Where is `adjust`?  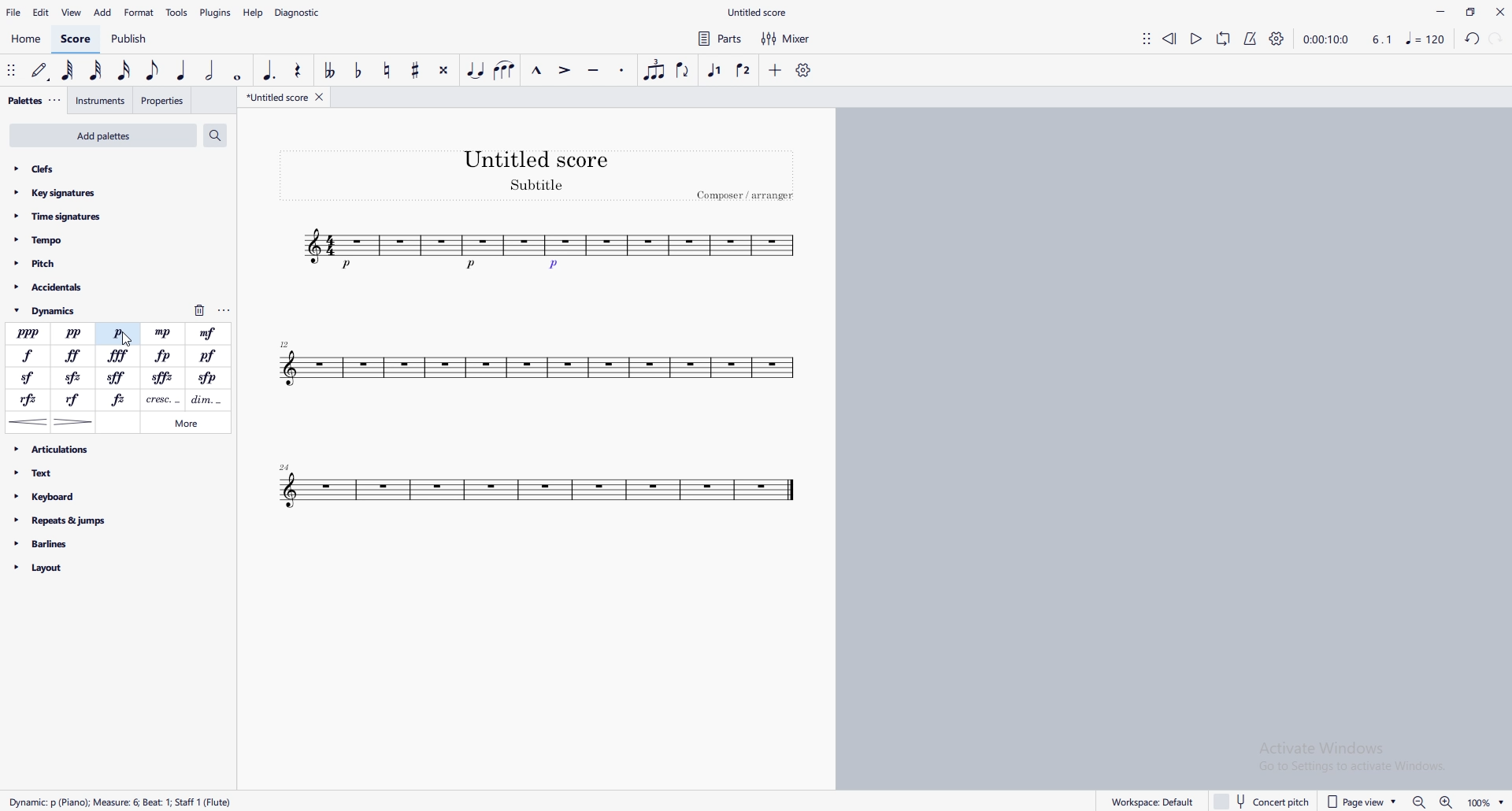
adjust is located at coordinates (58, 99).